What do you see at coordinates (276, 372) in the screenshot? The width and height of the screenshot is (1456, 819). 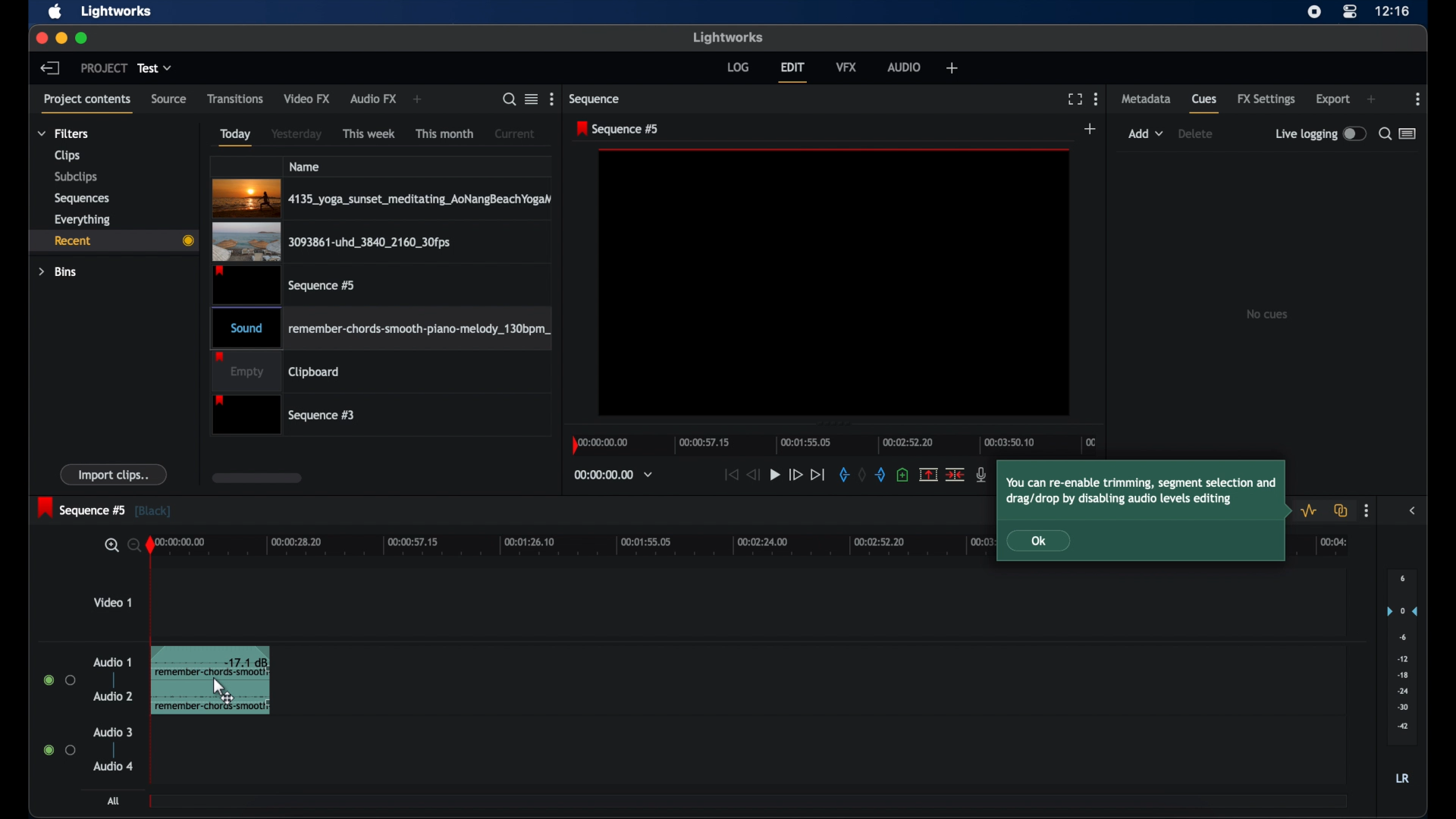 I see `clipboard` at bounding box center [276, 372].